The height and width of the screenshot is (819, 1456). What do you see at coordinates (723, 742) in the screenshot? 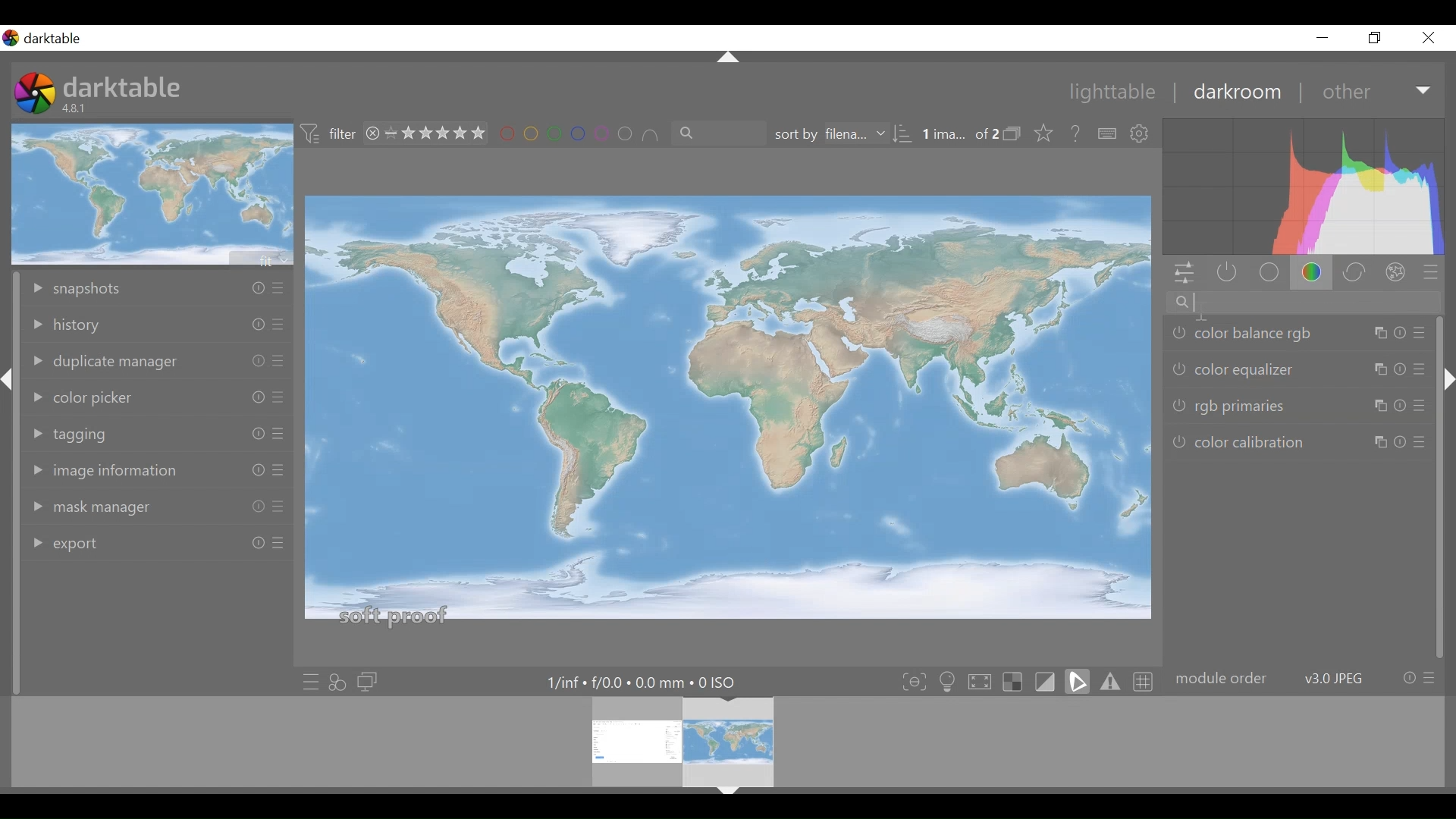
I see `filmstrip` at bounding box center [723, 742].